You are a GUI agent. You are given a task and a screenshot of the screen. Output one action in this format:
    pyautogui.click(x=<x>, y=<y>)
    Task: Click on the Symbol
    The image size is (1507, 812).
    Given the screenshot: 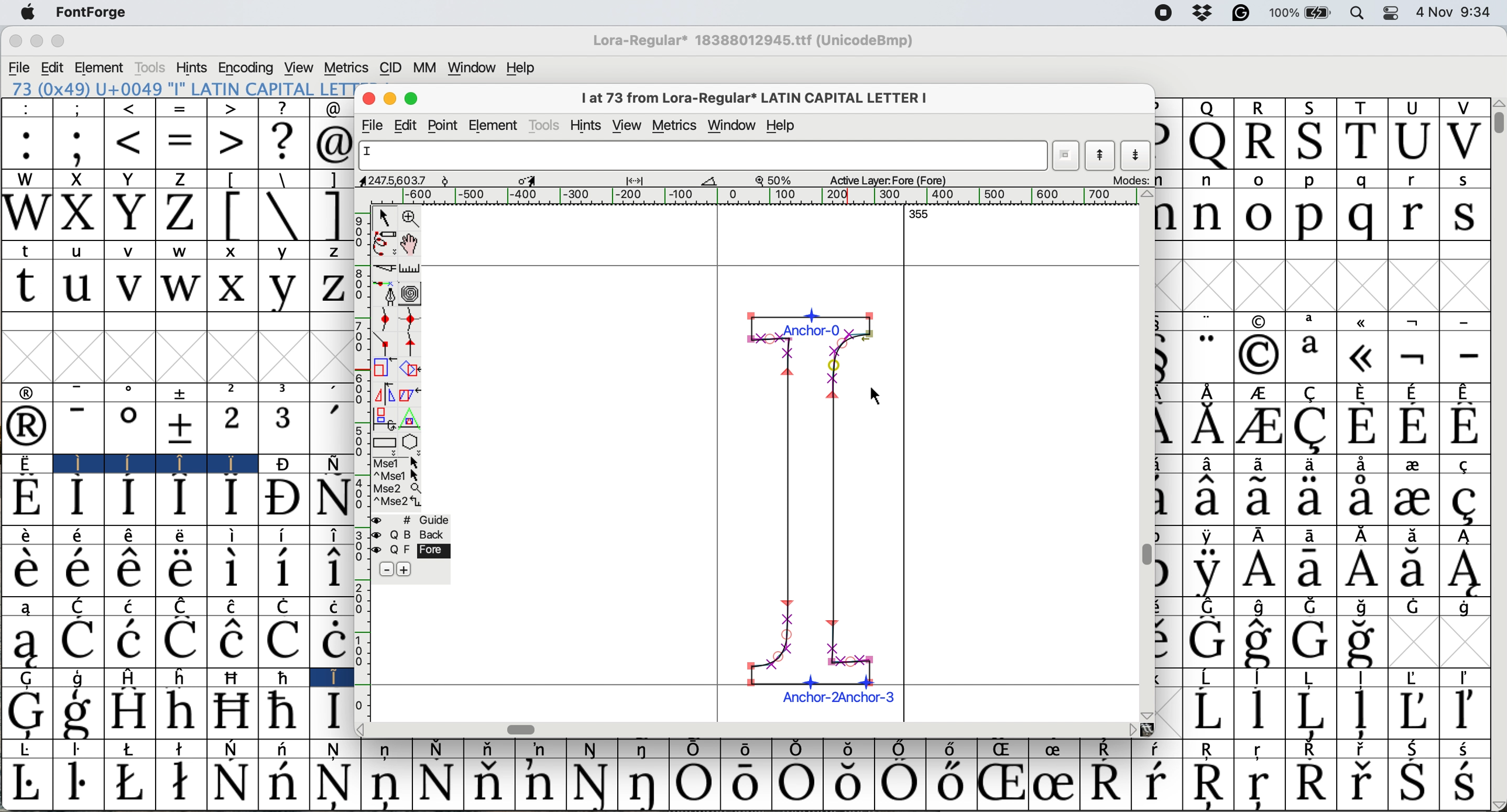 What is the action you would take?
    pyautogui.click(x=1364, y=535)
    